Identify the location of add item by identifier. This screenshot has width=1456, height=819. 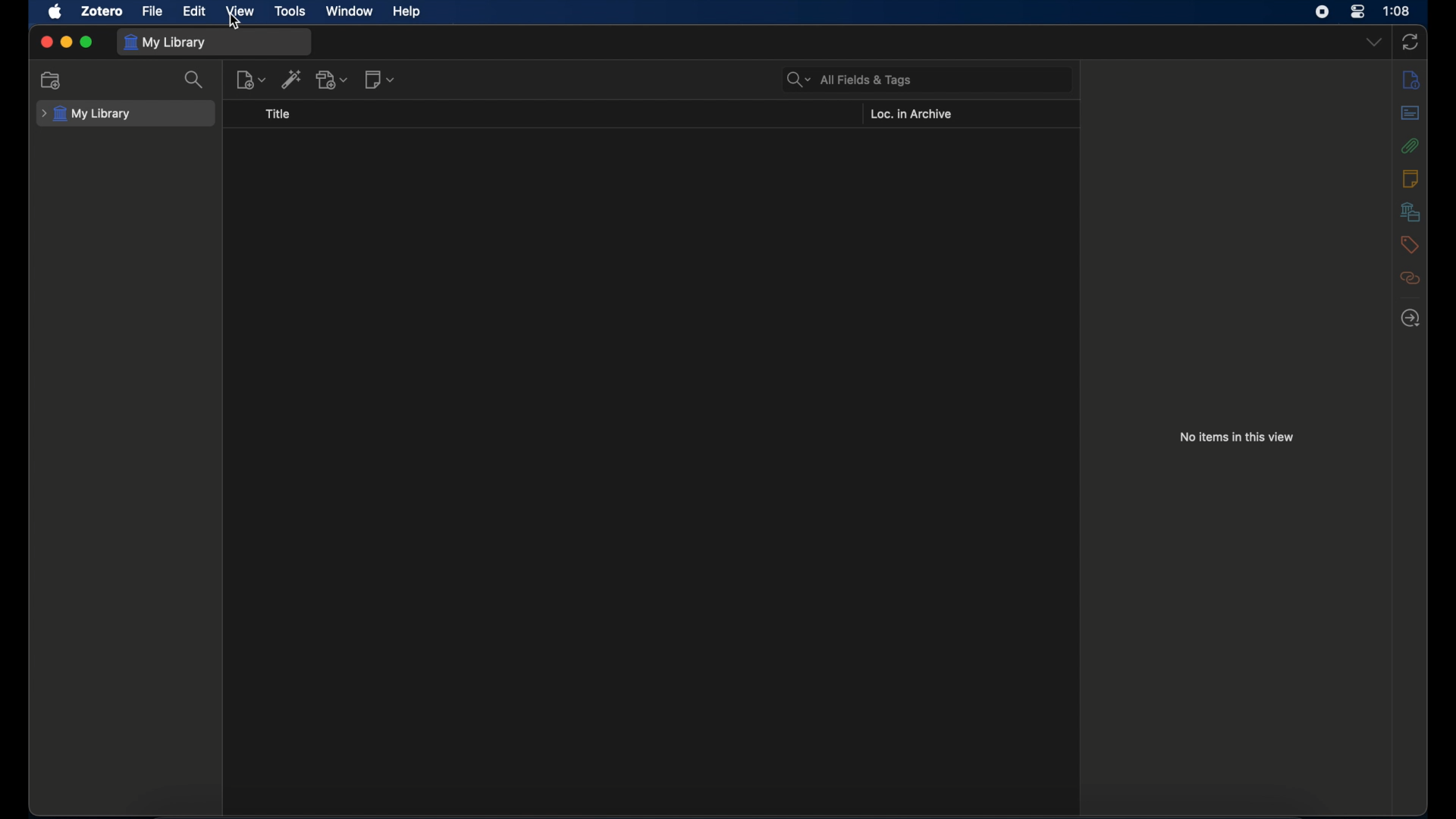
(291, 79).